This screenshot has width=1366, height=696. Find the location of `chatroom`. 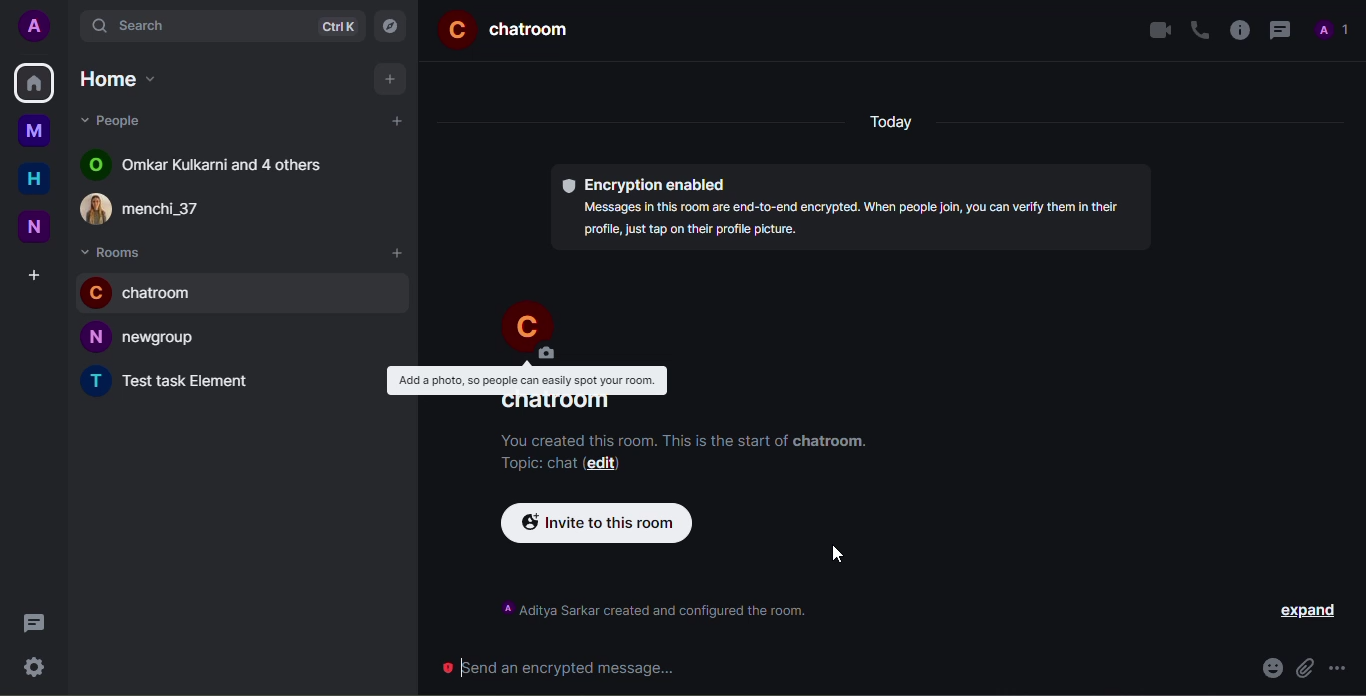

chatroom is located at coordinates (557, 403).